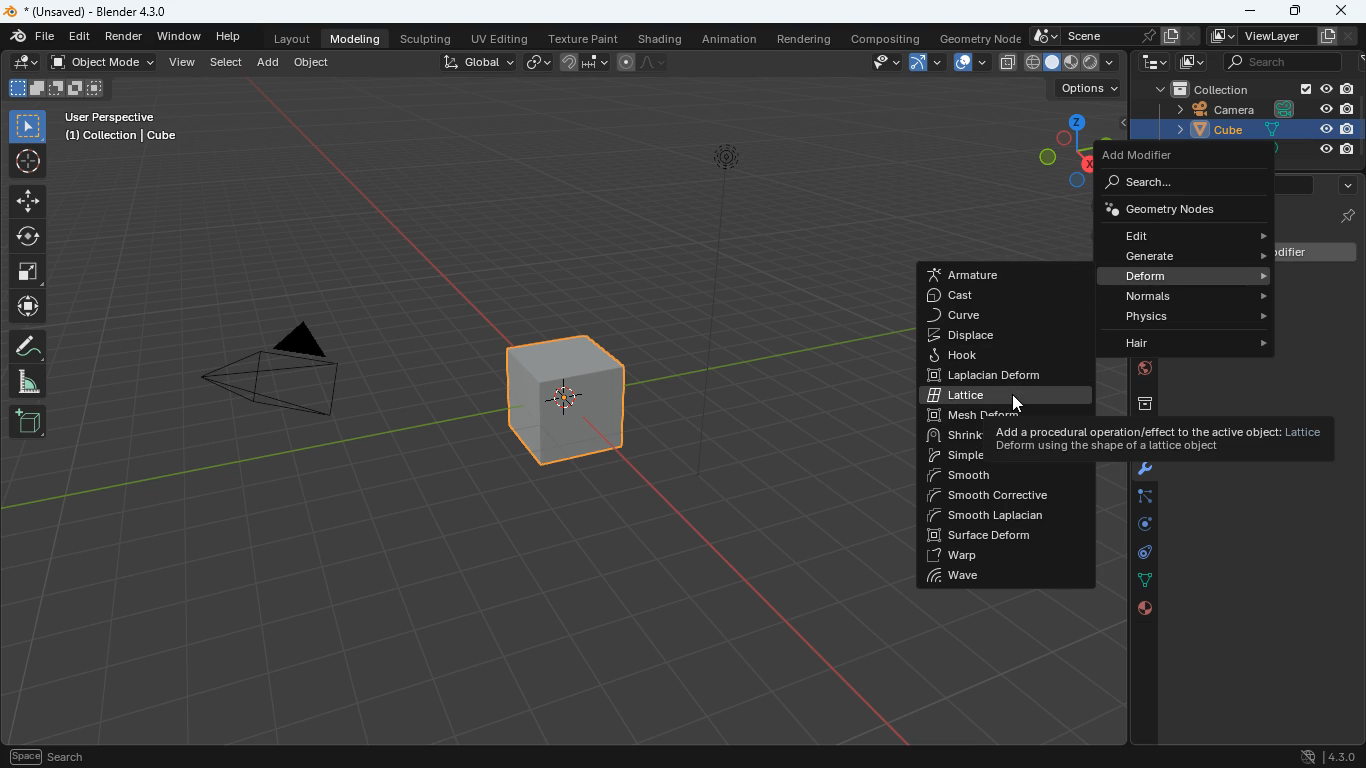 The width and height of the screenshot is (1366, 768). Describe the element at coordinates (995, 274) in the screenshot. I see `armature` at that location.